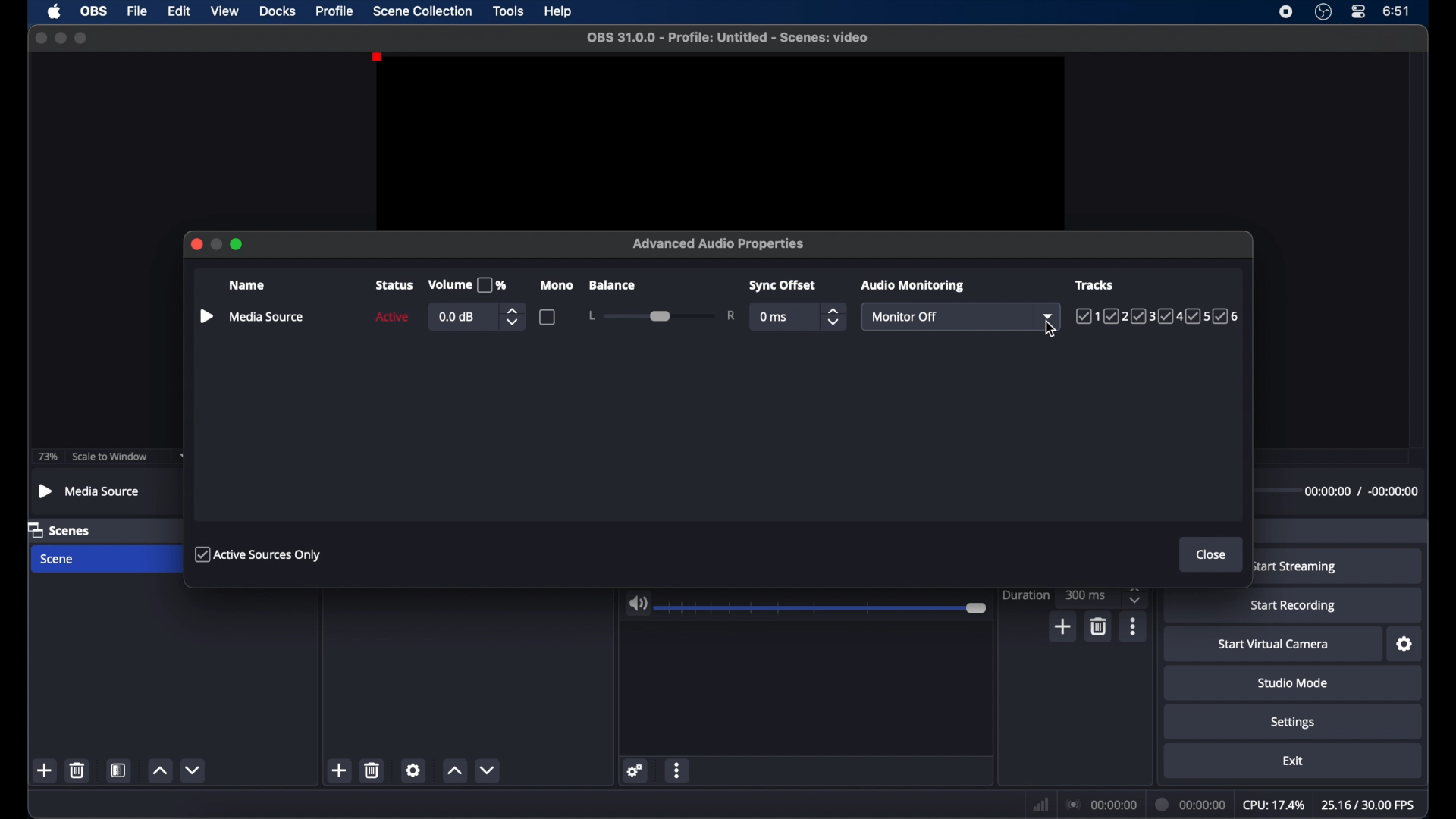 Image resolution: width=1456 pixels, height=819 pixels. I want to click on name, so click(246, 285).